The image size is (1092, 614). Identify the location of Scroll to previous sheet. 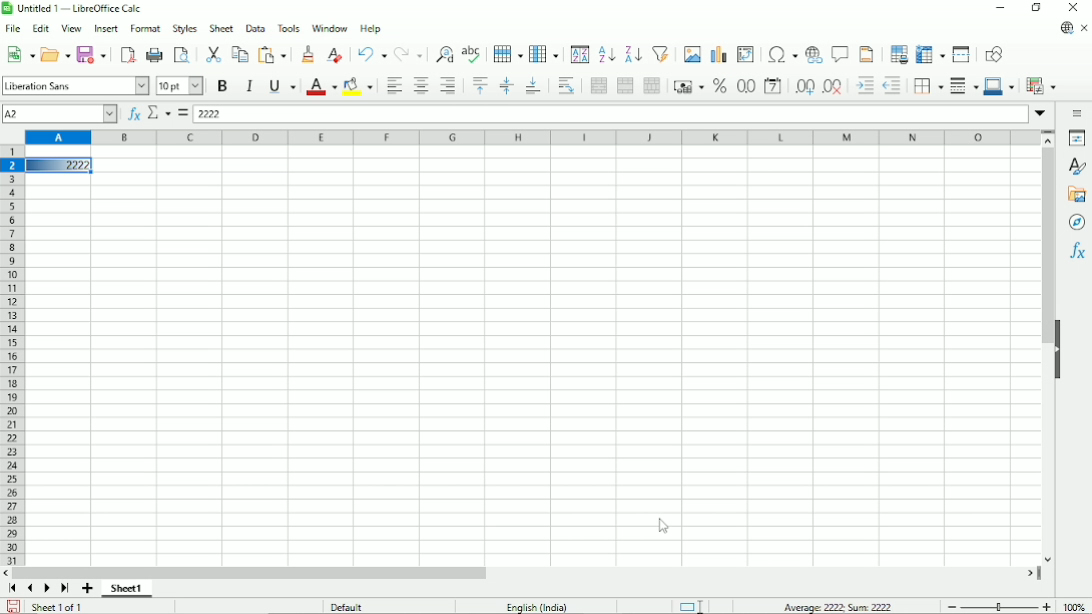
(31, 589).